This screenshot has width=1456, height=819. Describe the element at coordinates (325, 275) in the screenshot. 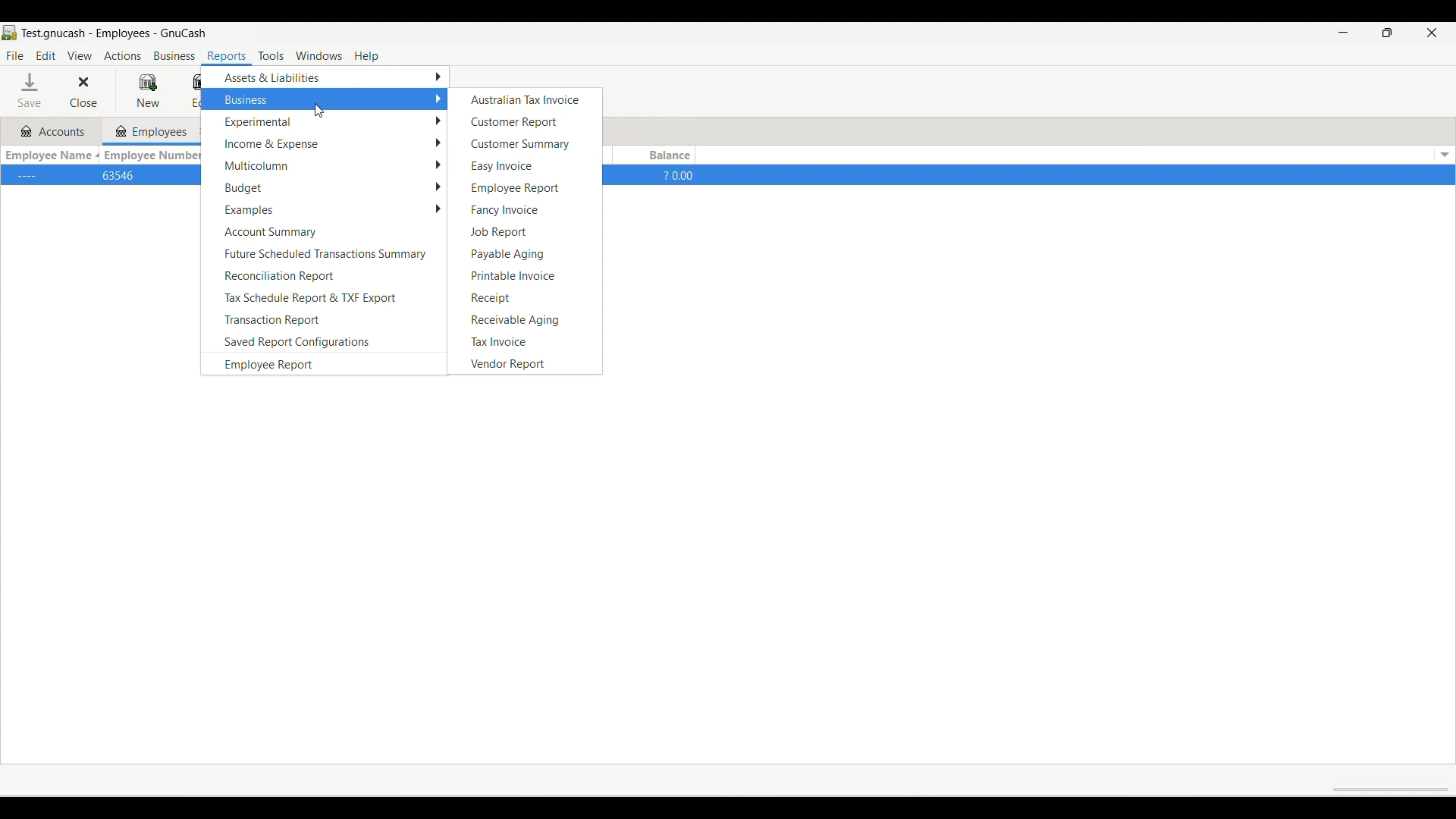

I see `Reconciliation report` at that location.